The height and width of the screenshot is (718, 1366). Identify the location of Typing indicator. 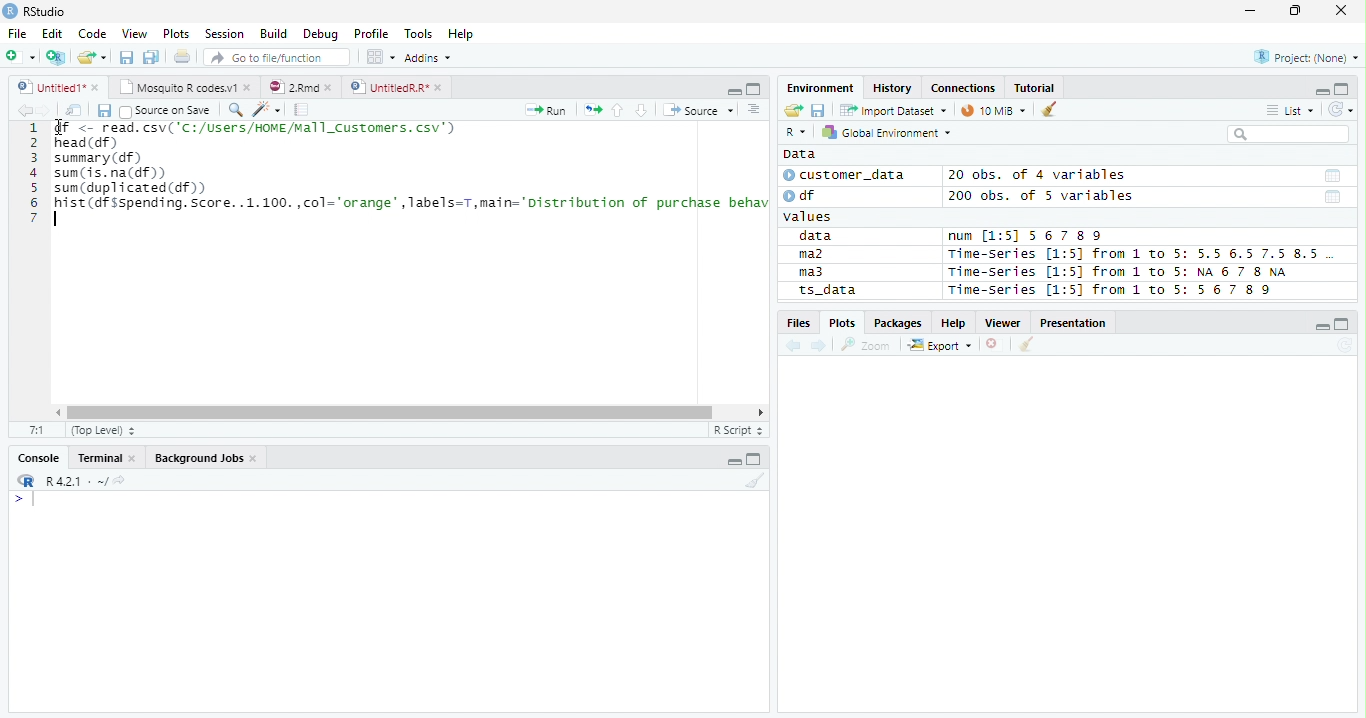
(33, 500).